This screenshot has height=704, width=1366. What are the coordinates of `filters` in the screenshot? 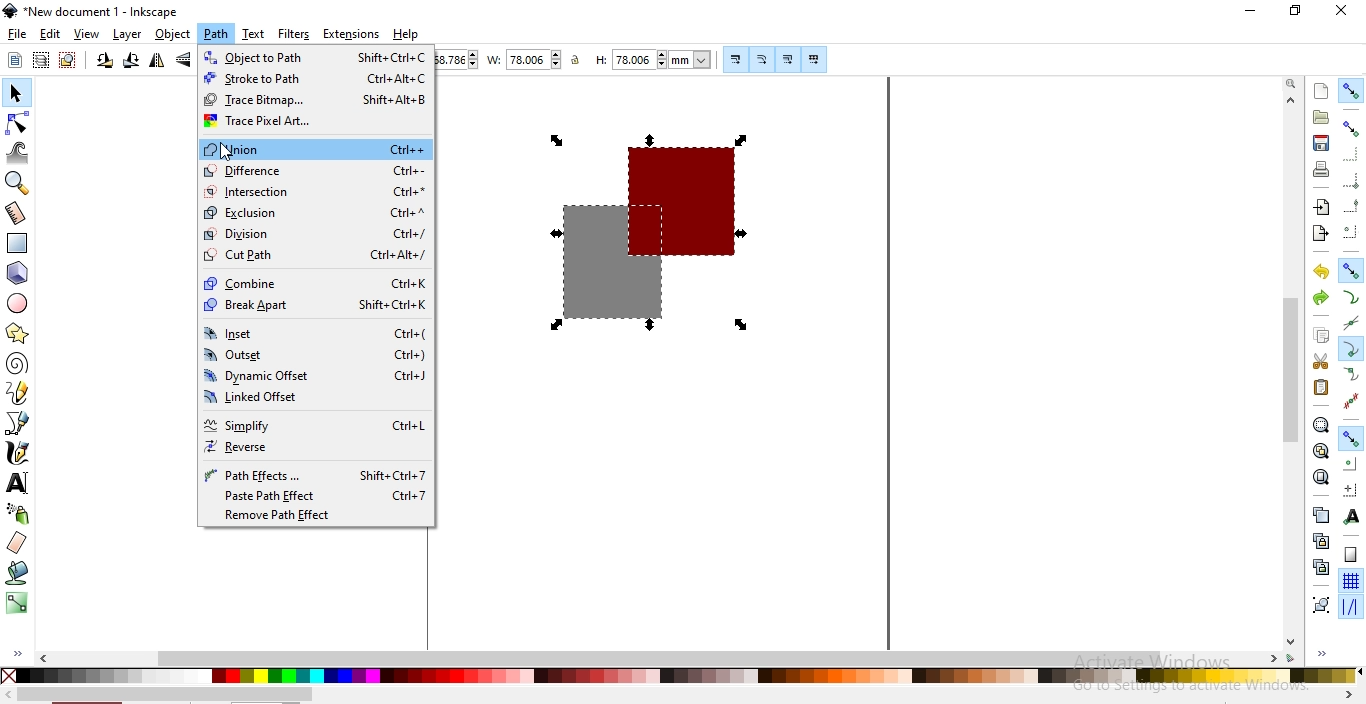 It's located at (293, 35).